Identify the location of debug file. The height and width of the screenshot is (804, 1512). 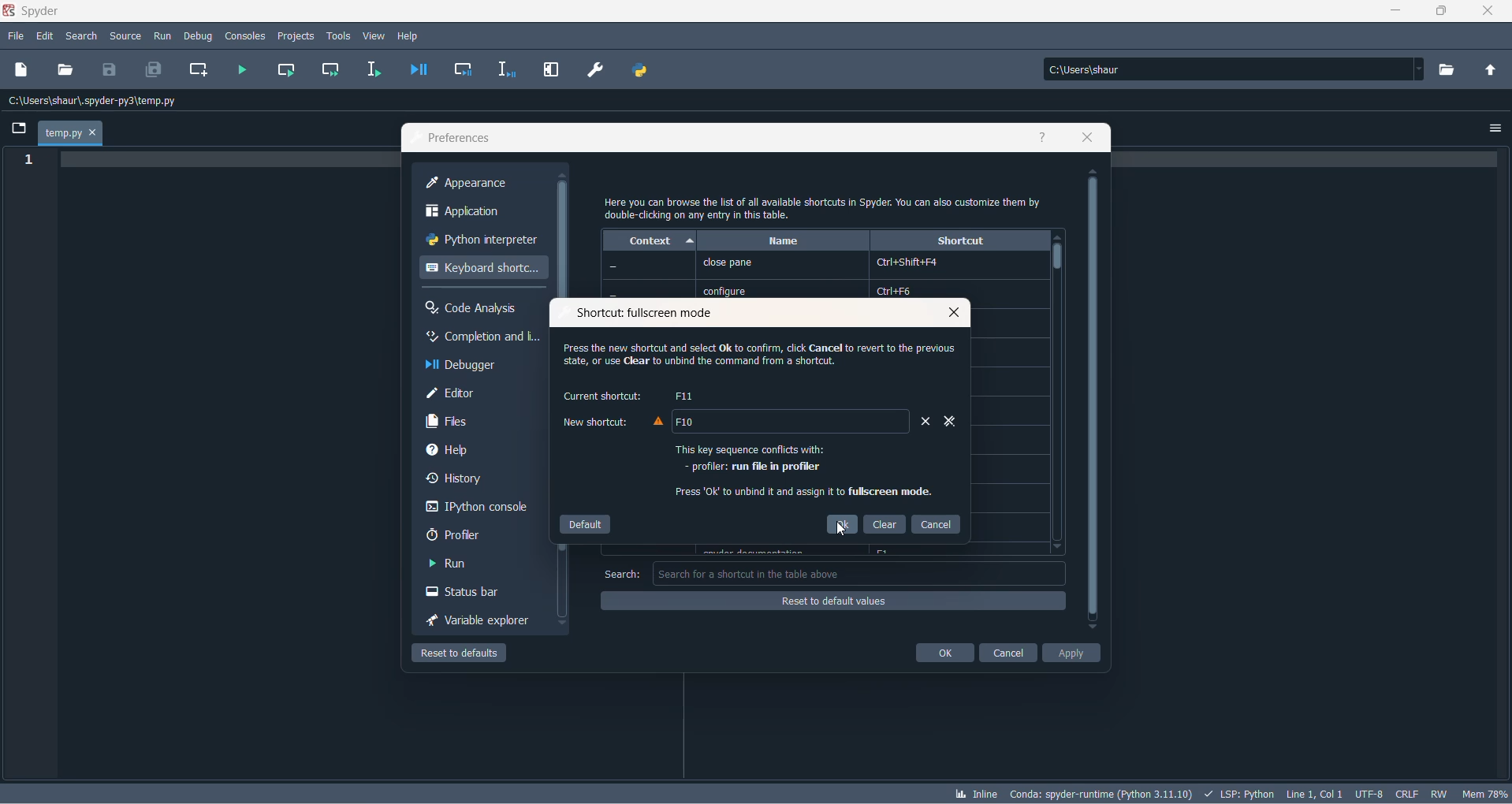
(415, 71).